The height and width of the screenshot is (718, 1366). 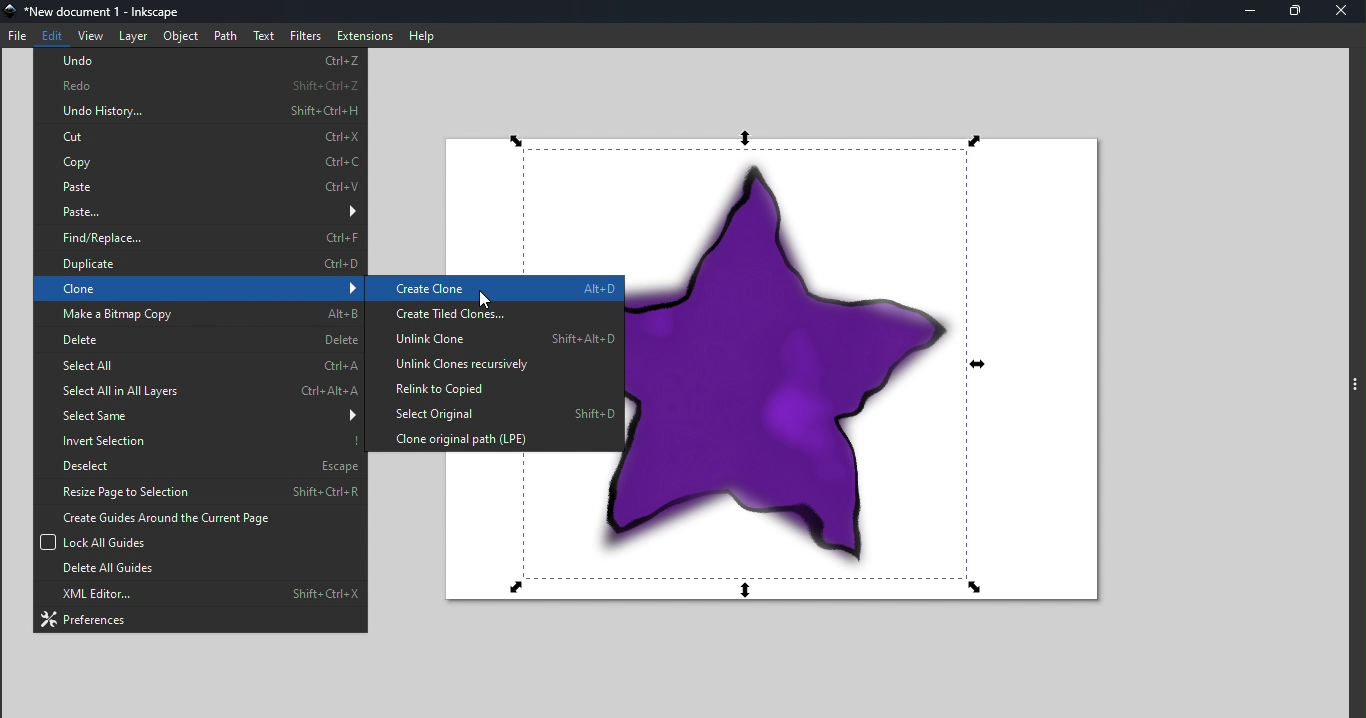 What do you see at coordinates (304, 35) in the screenshot?
I see `Filters` at bounding box center [304, 35].